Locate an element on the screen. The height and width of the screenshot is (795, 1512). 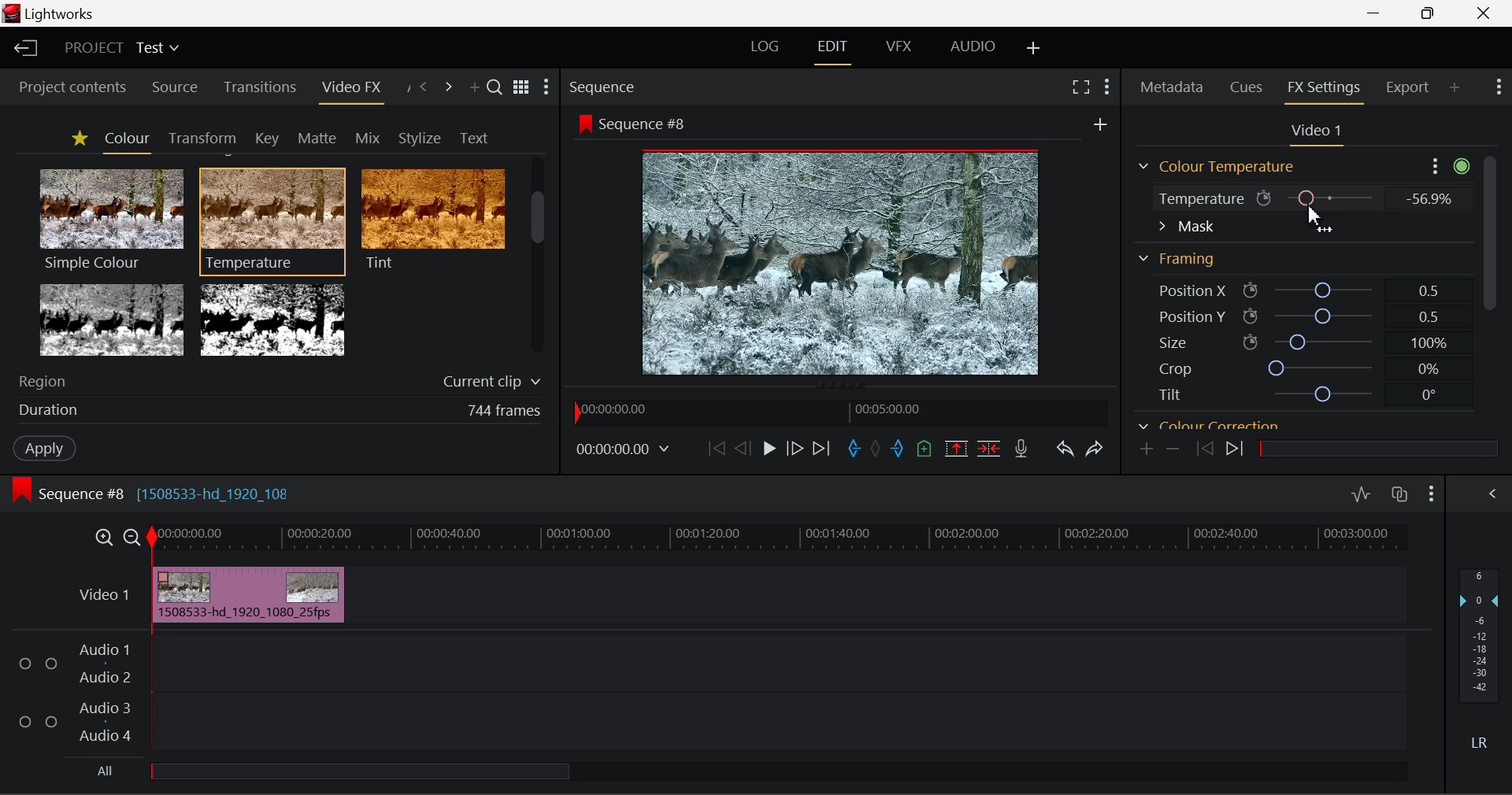
Project Title is located at coordinates (121, 46).